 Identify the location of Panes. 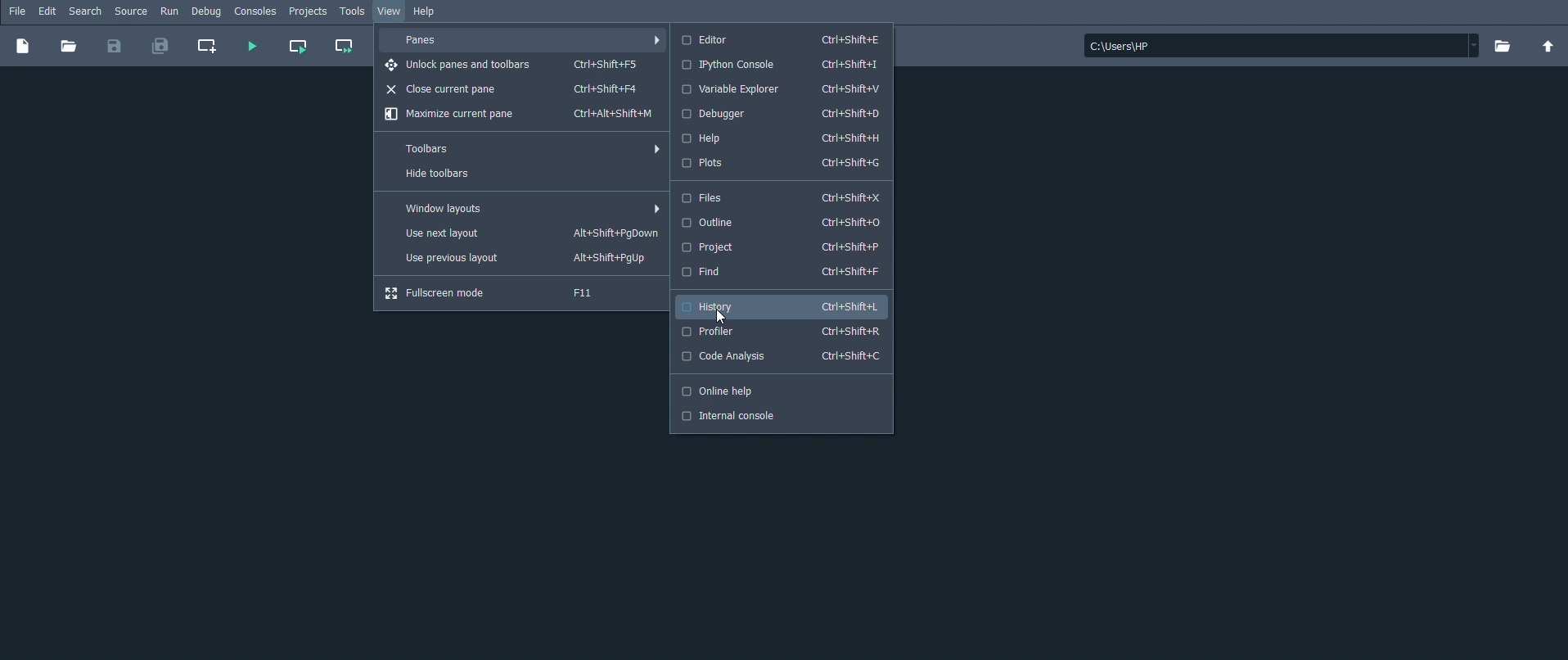
(526, 40).